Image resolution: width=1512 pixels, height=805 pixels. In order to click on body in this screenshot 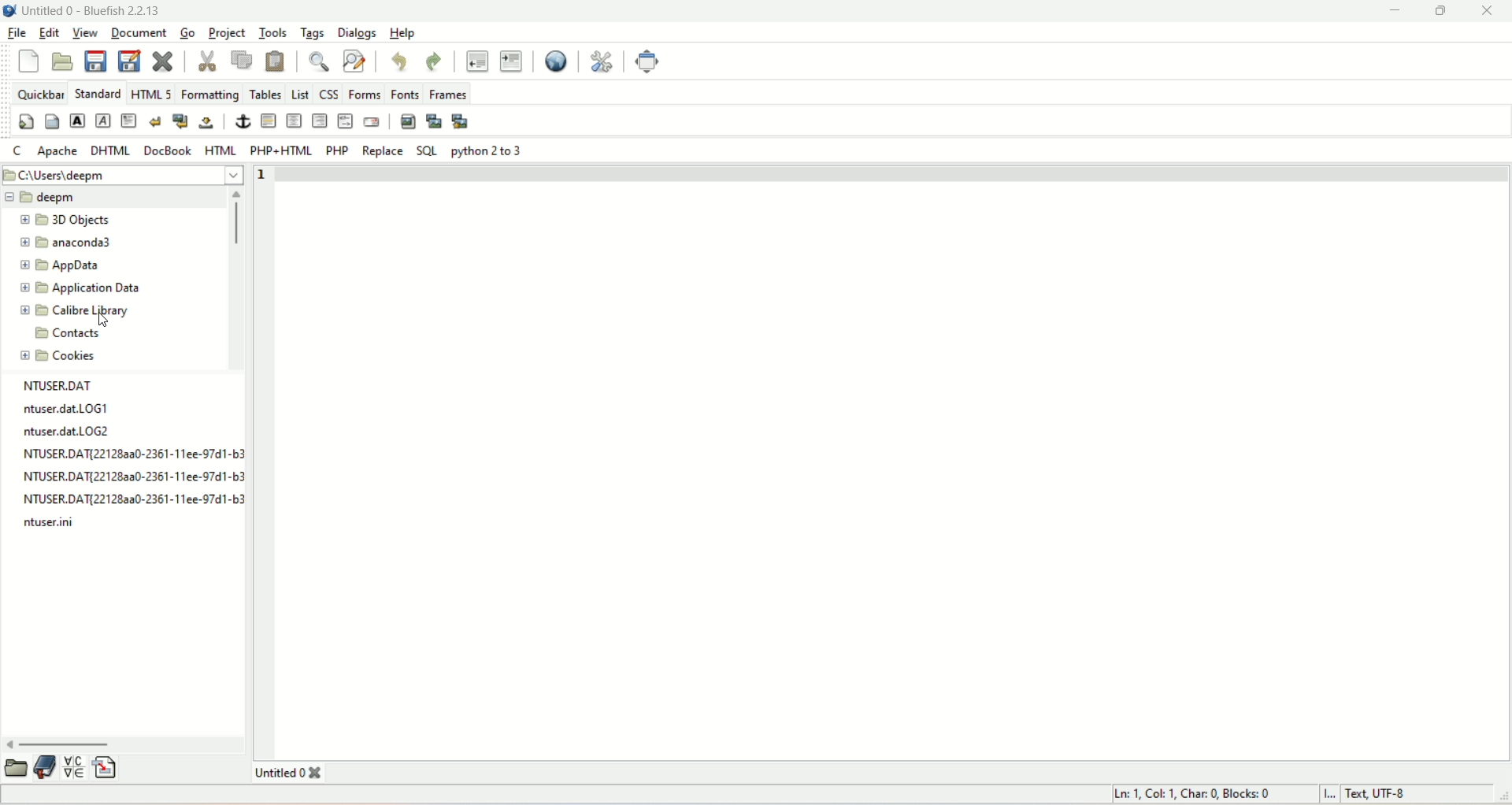, I will do `click(51, 120)`.